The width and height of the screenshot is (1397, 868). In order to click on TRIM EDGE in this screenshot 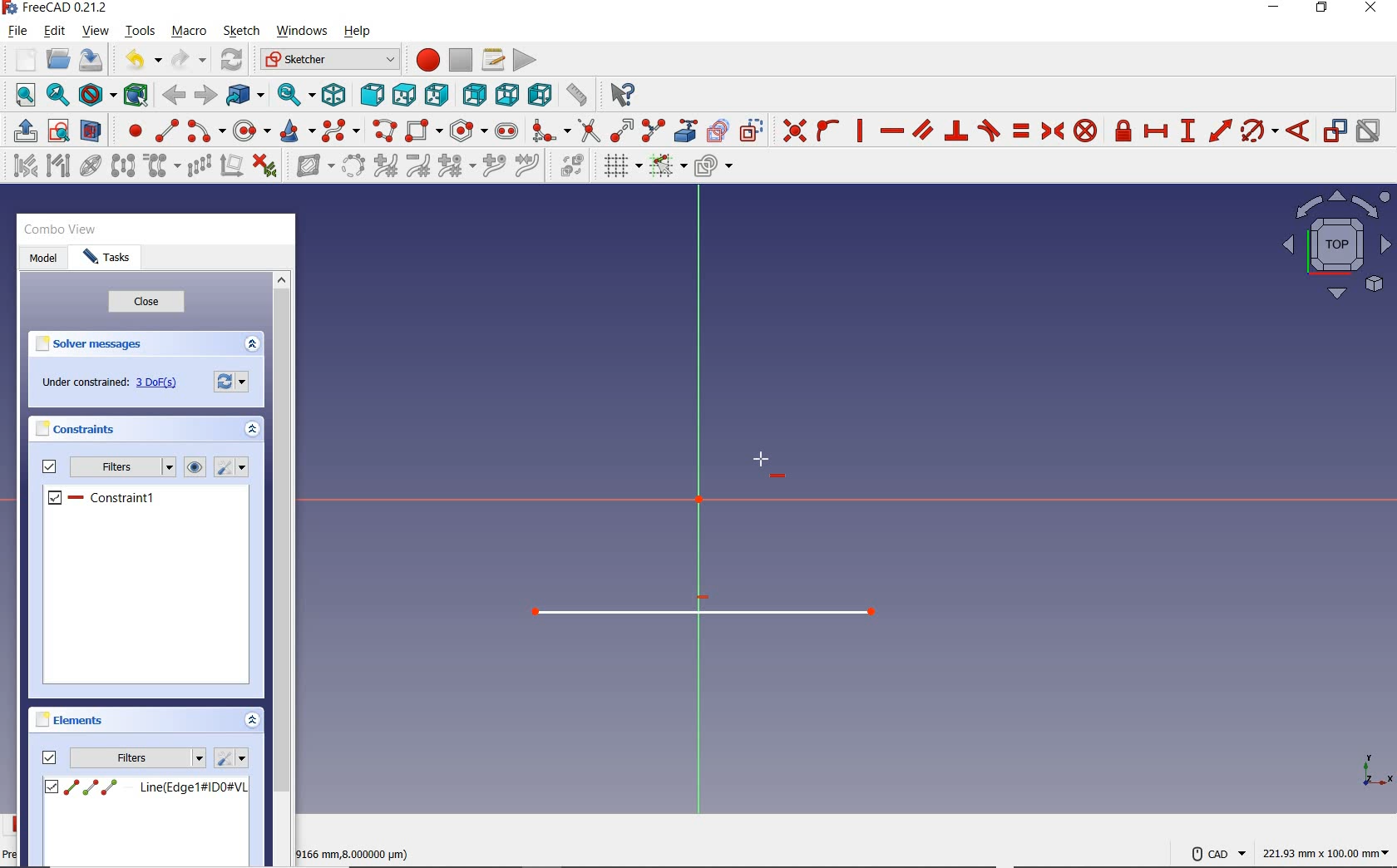, I will do `click(587, 130)`.